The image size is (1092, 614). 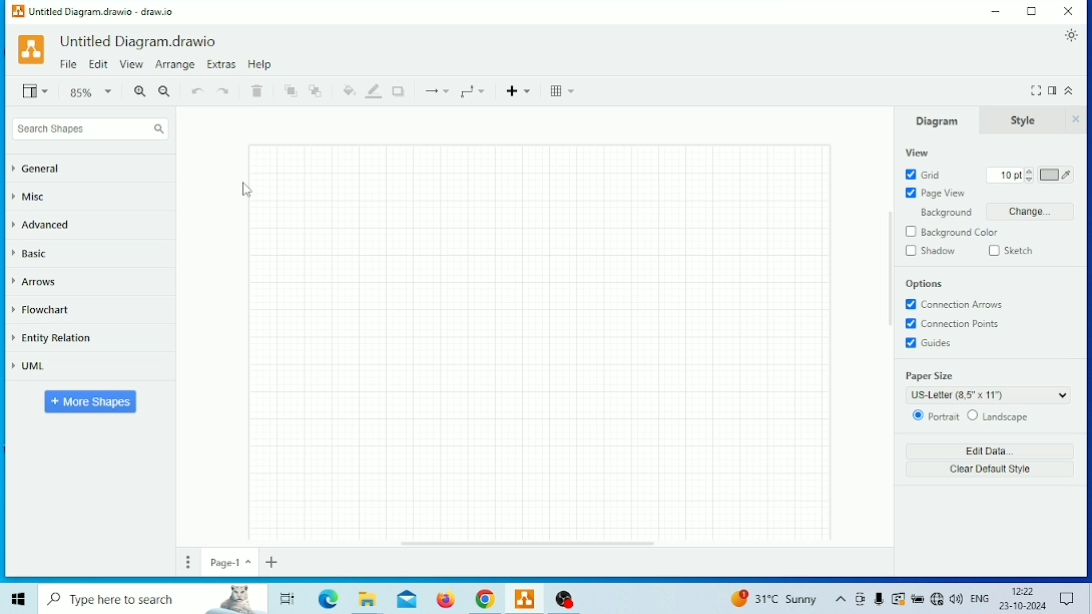 I want to click on Logo, so click(x=18, y=12).